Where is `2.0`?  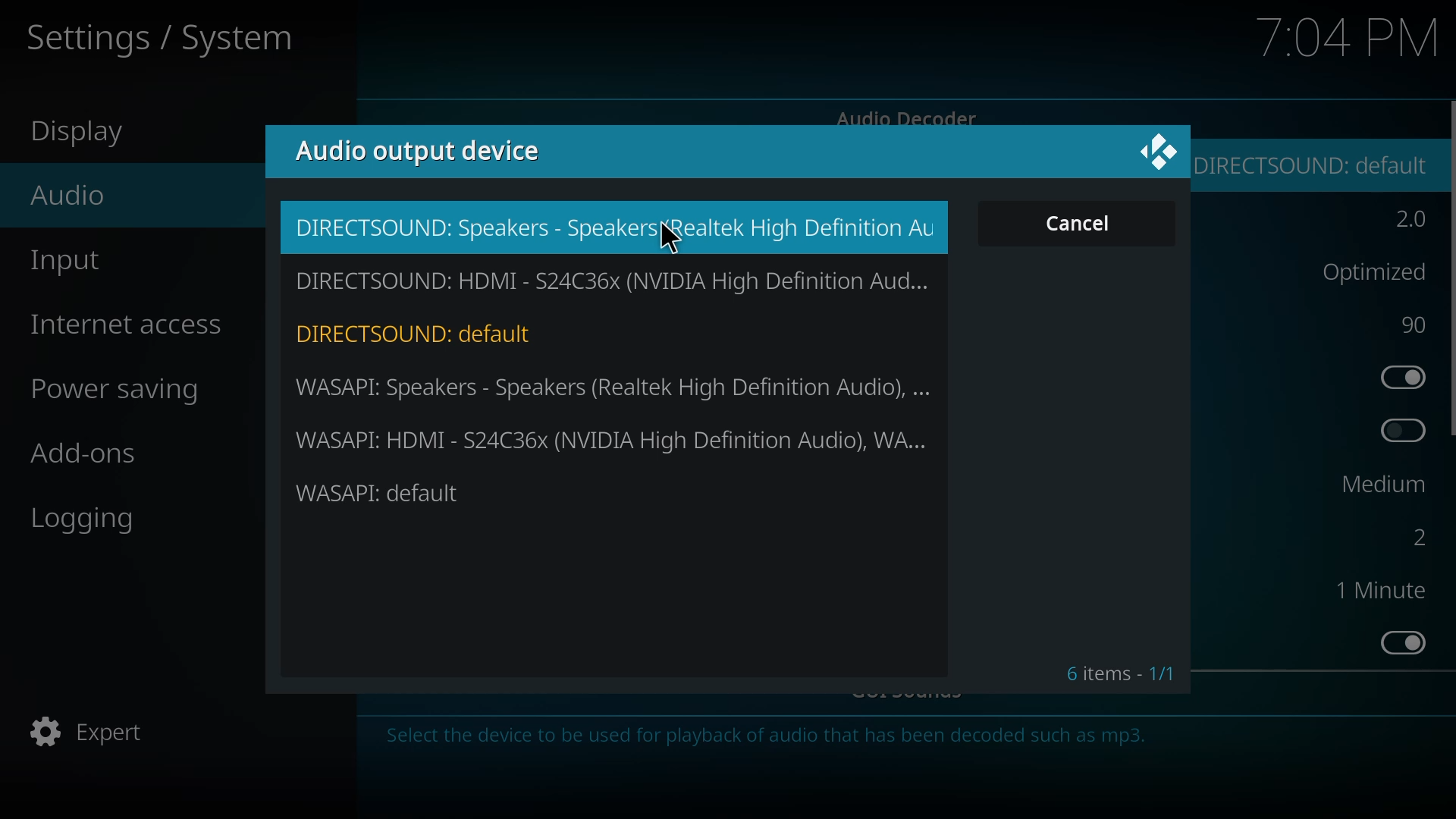
2.0 is located at coordinates (1407, 221).